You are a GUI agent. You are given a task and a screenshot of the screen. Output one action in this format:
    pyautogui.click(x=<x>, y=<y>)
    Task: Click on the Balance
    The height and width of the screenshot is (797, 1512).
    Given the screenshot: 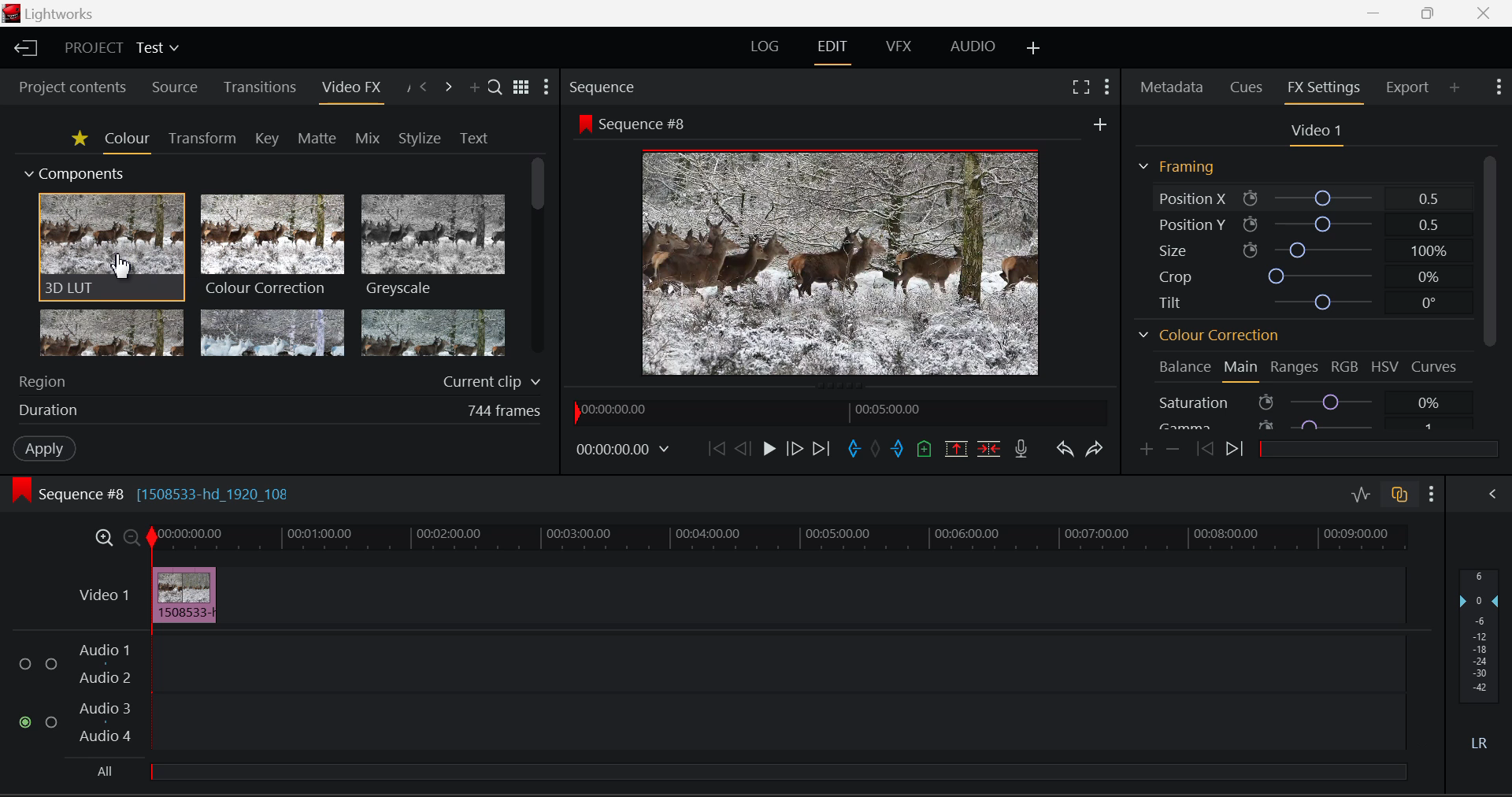 What is the action you would take?
    pyautogui.click(x=1182, y=369)
    